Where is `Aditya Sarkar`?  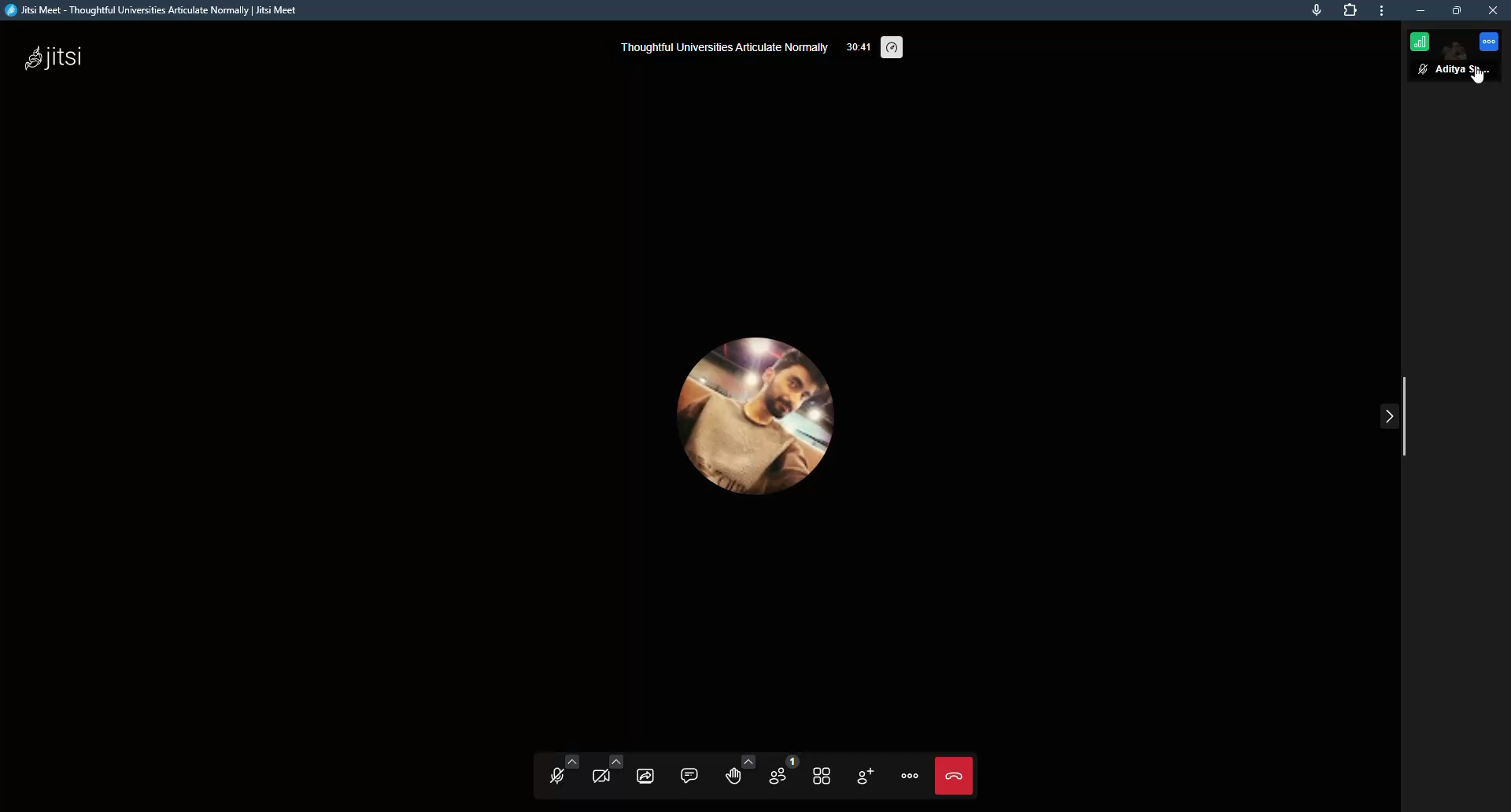
Aditya Sarkar is located at coordinates (1465, 73).